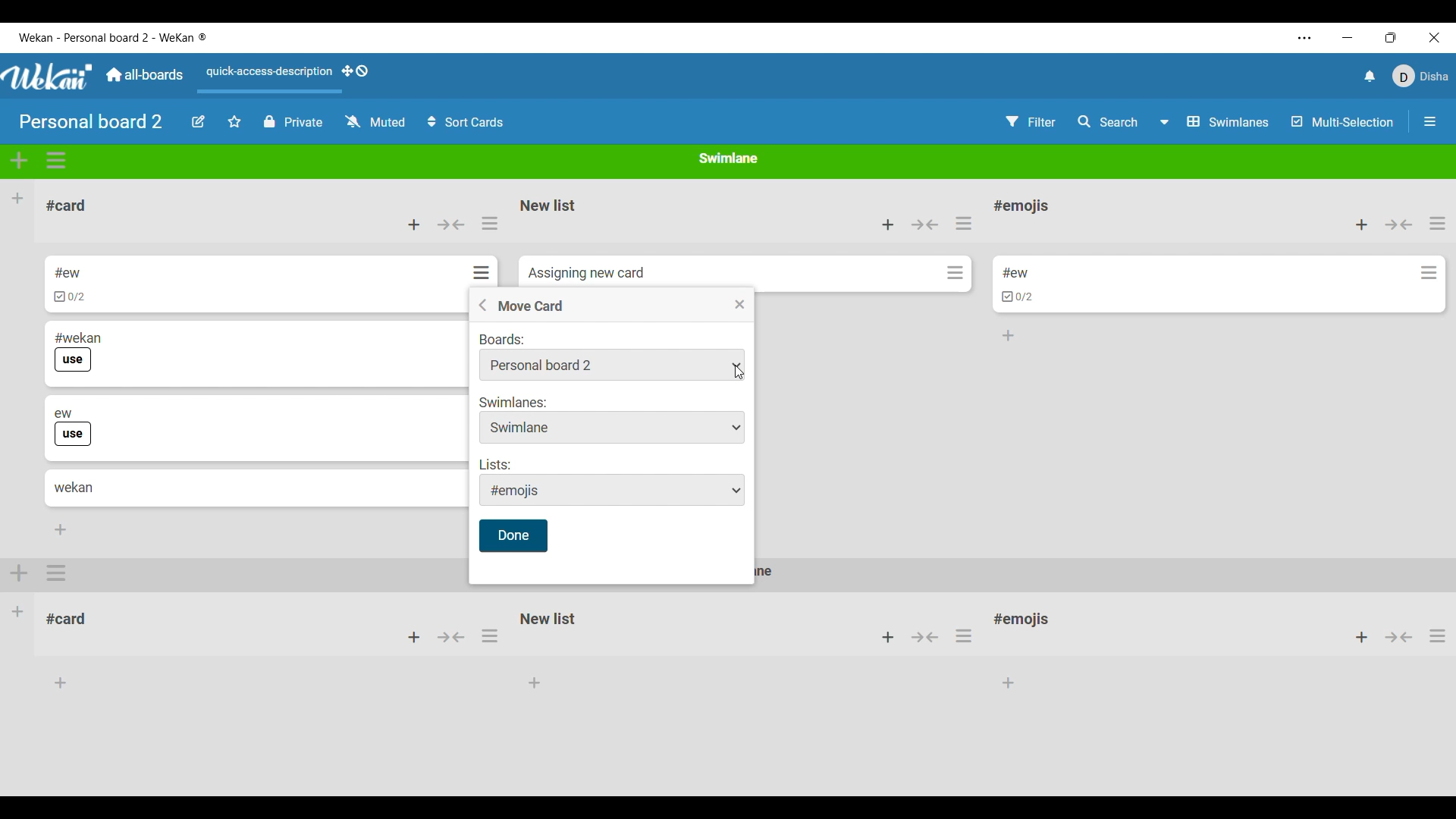  Describe the element at coordinates (968, 635) in the screenshot. I see `options` at that location.